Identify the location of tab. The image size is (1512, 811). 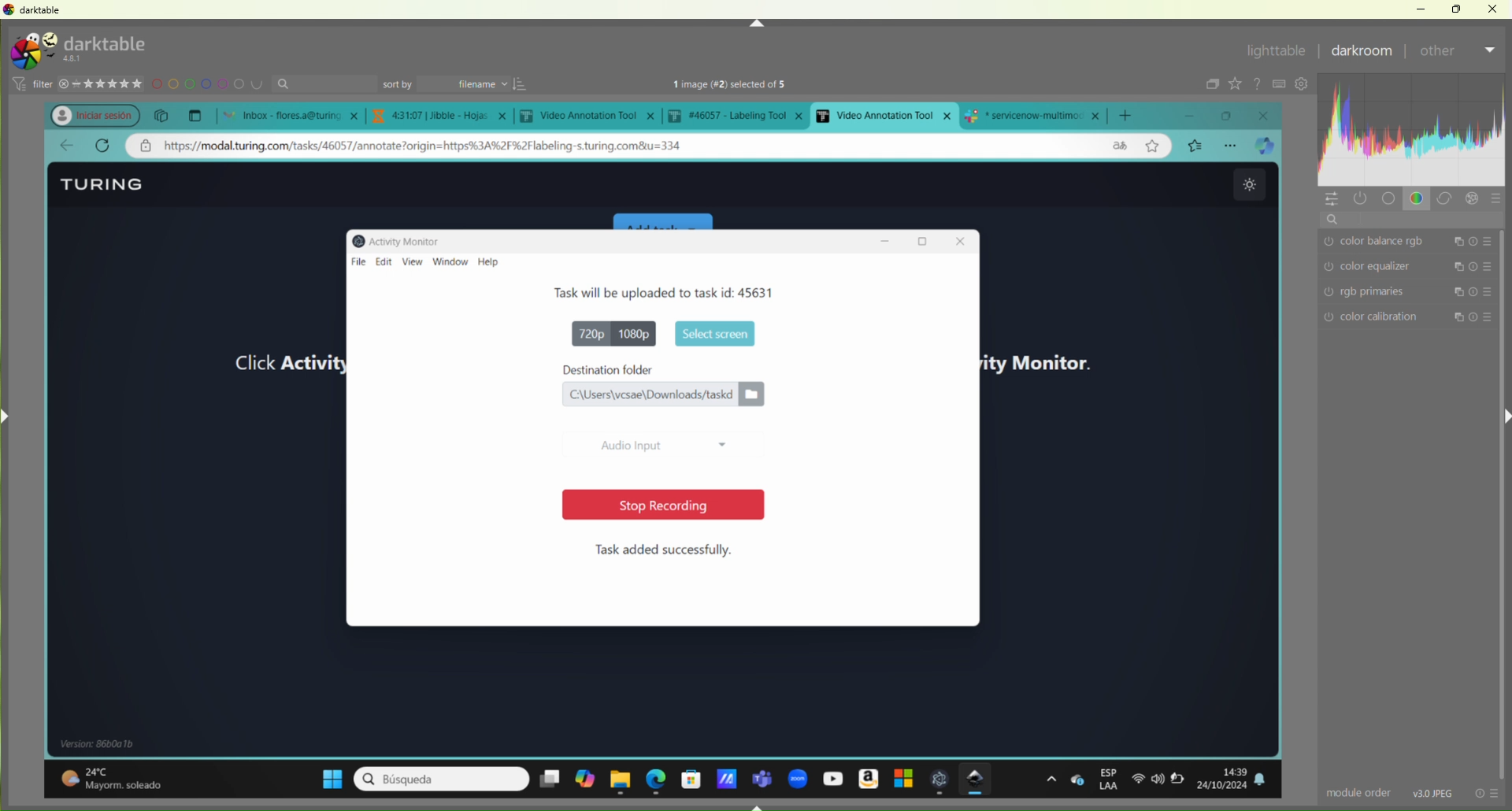
(591, 117).